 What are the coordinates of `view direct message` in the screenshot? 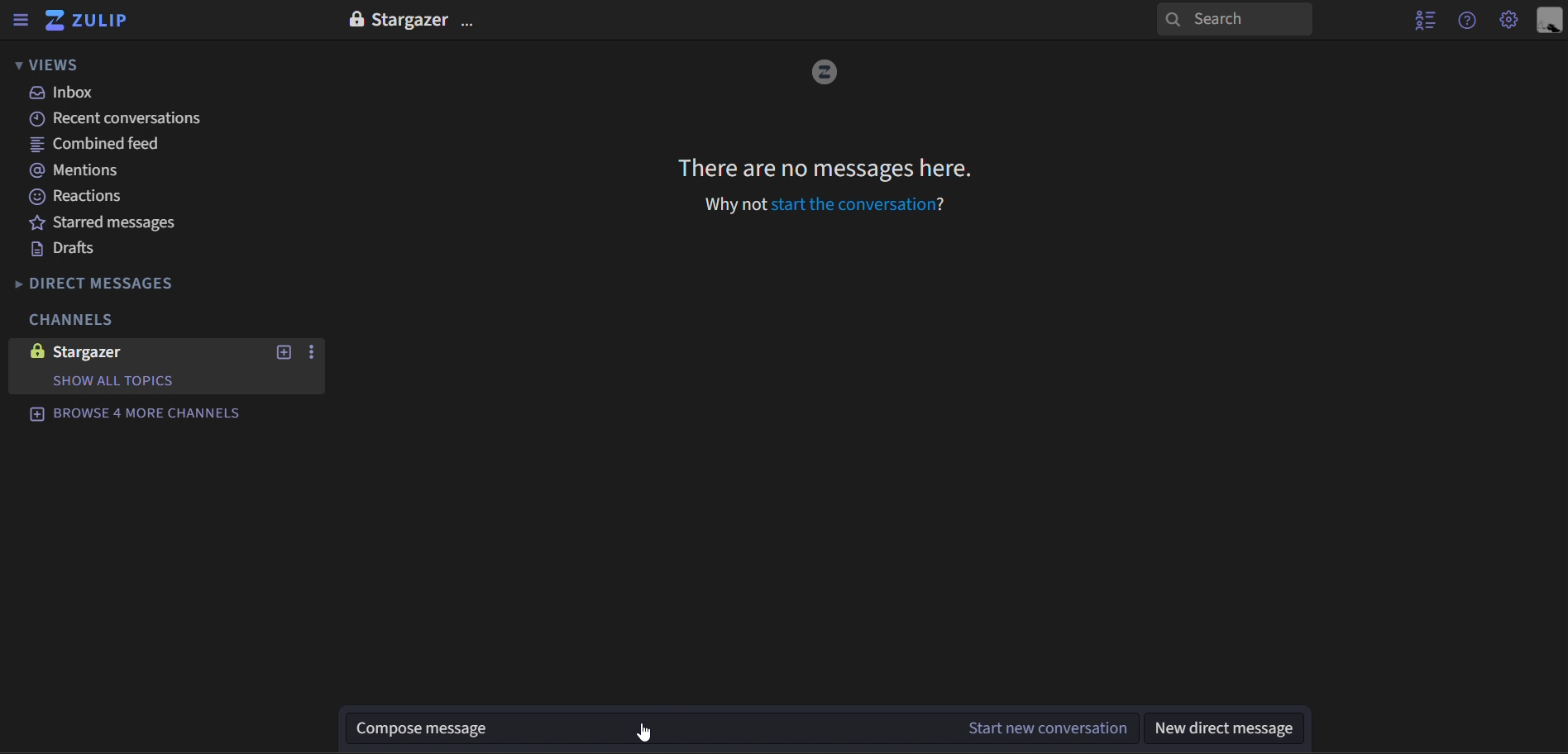 It's located at (1224, 730).